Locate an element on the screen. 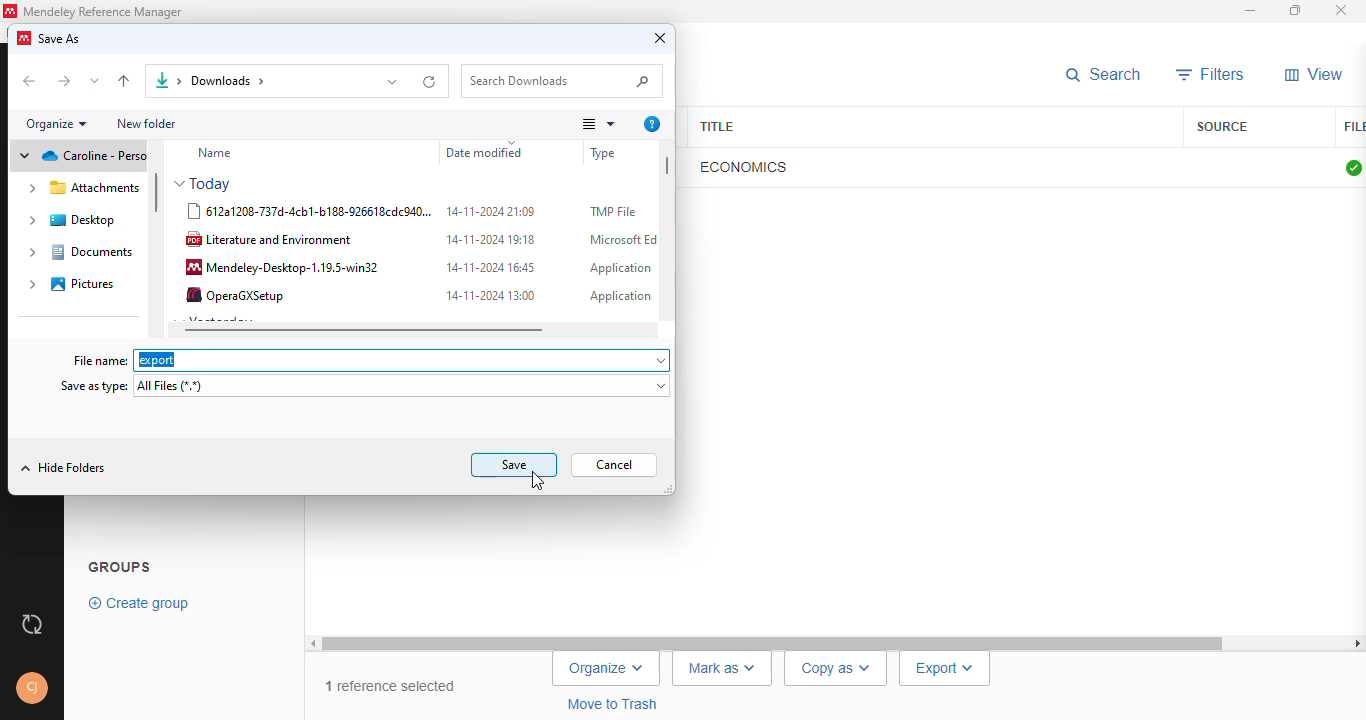 The height and width of the screenshot is (720, 1366). create group is located at coordinates (140, 604).